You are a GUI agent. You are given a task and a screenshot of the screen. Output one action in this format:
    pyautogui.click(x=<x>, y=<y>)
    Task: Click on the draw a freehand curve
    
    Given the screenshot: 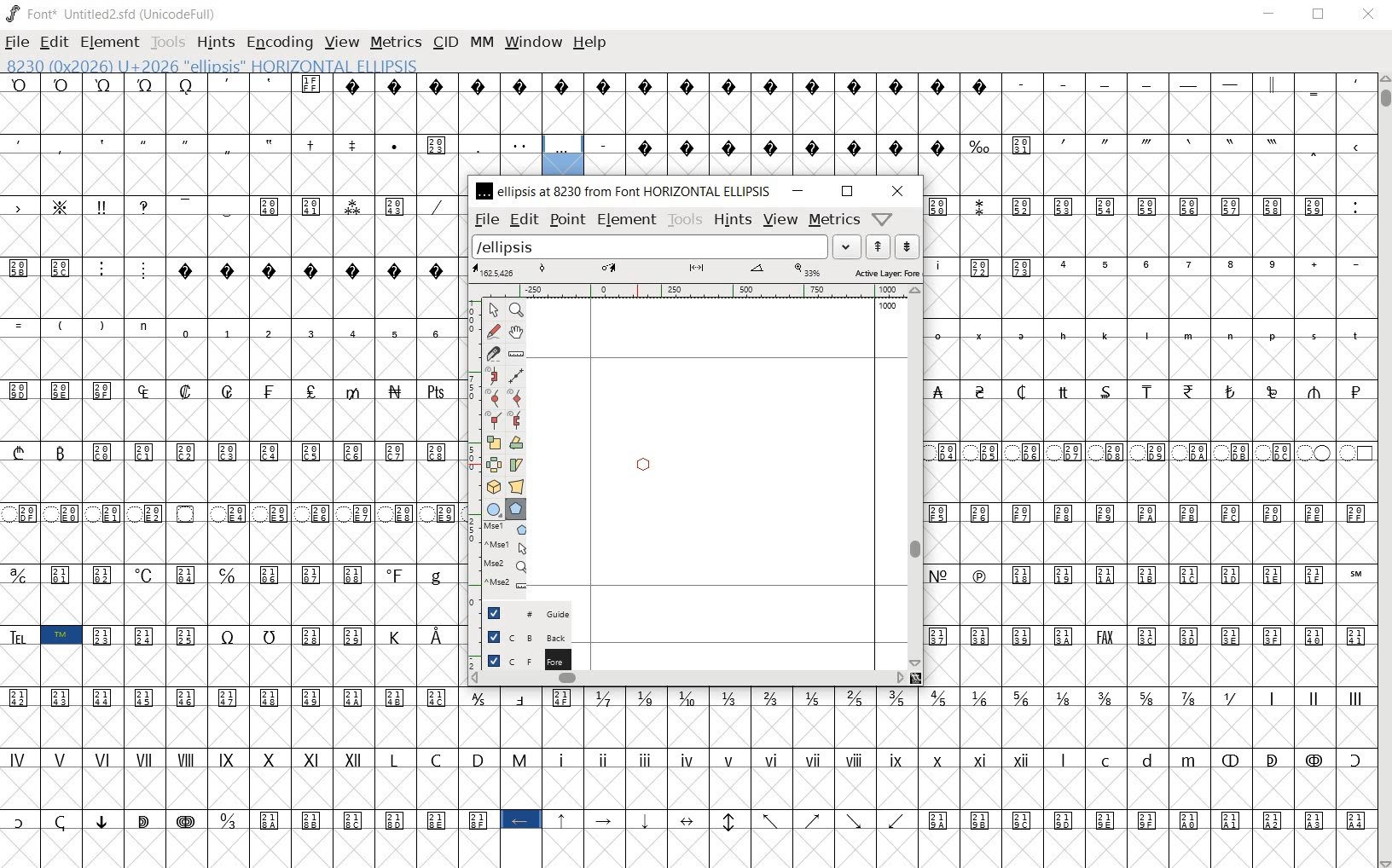 What is the action you would take?
    pyautogui.click(x=493, y=331)
    